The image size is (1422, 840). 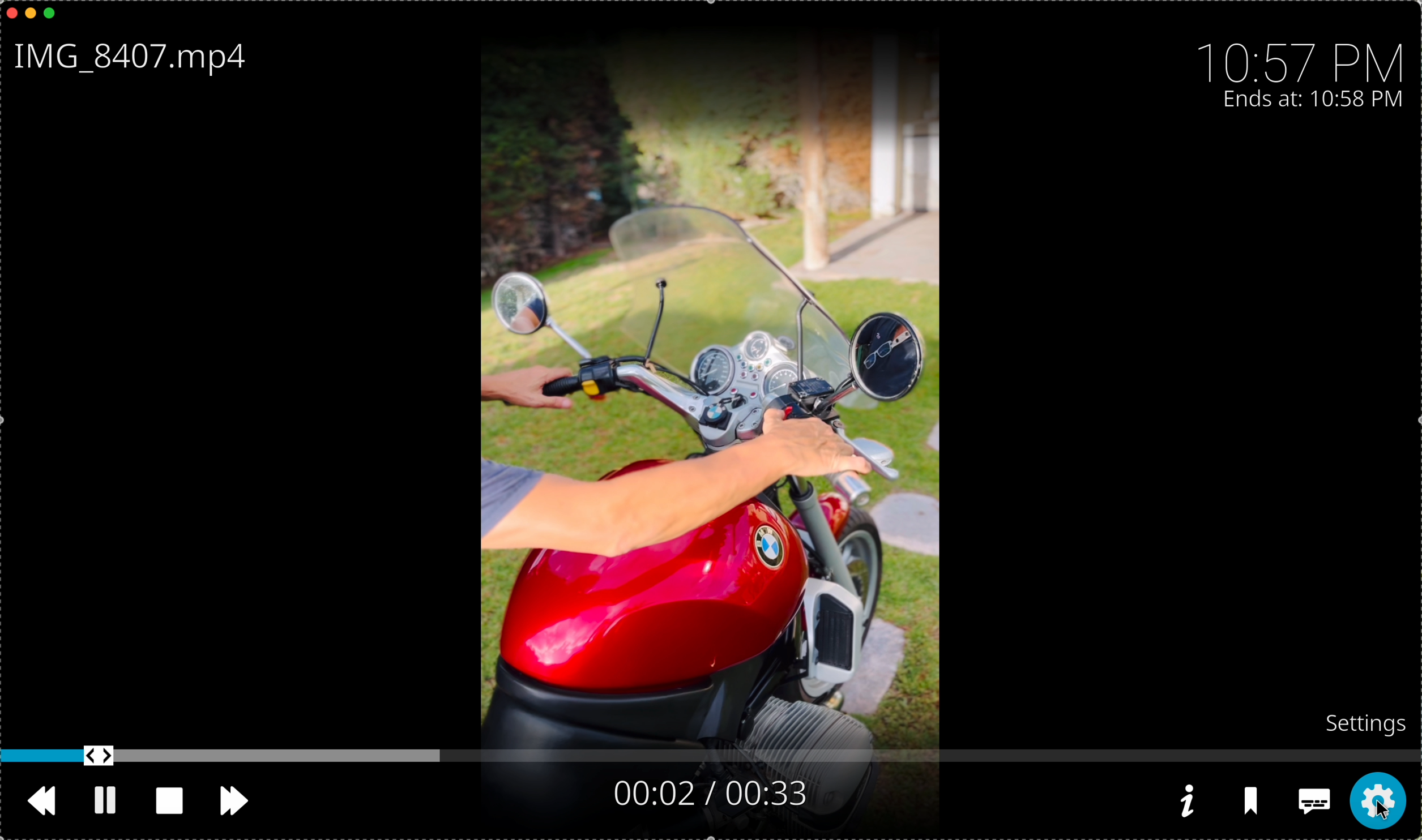 I want to click on ends at 10:58 PM, so click(x=1313, y=101).